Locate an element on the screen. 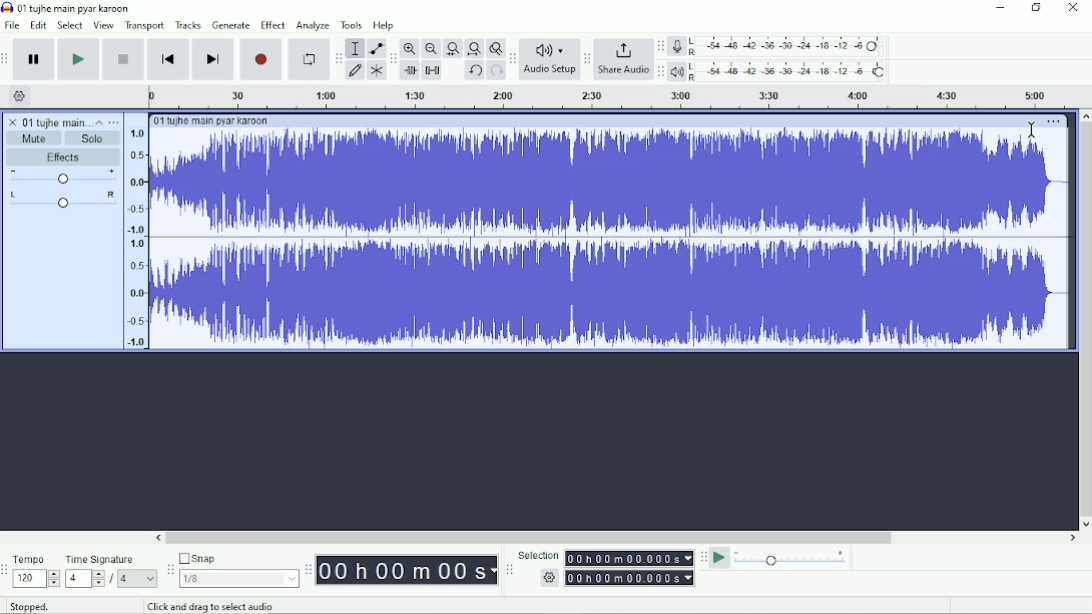 The height and width of the screenshot is (614, 1092). Horizontal scrollbar is located at coordinates (616, 538).